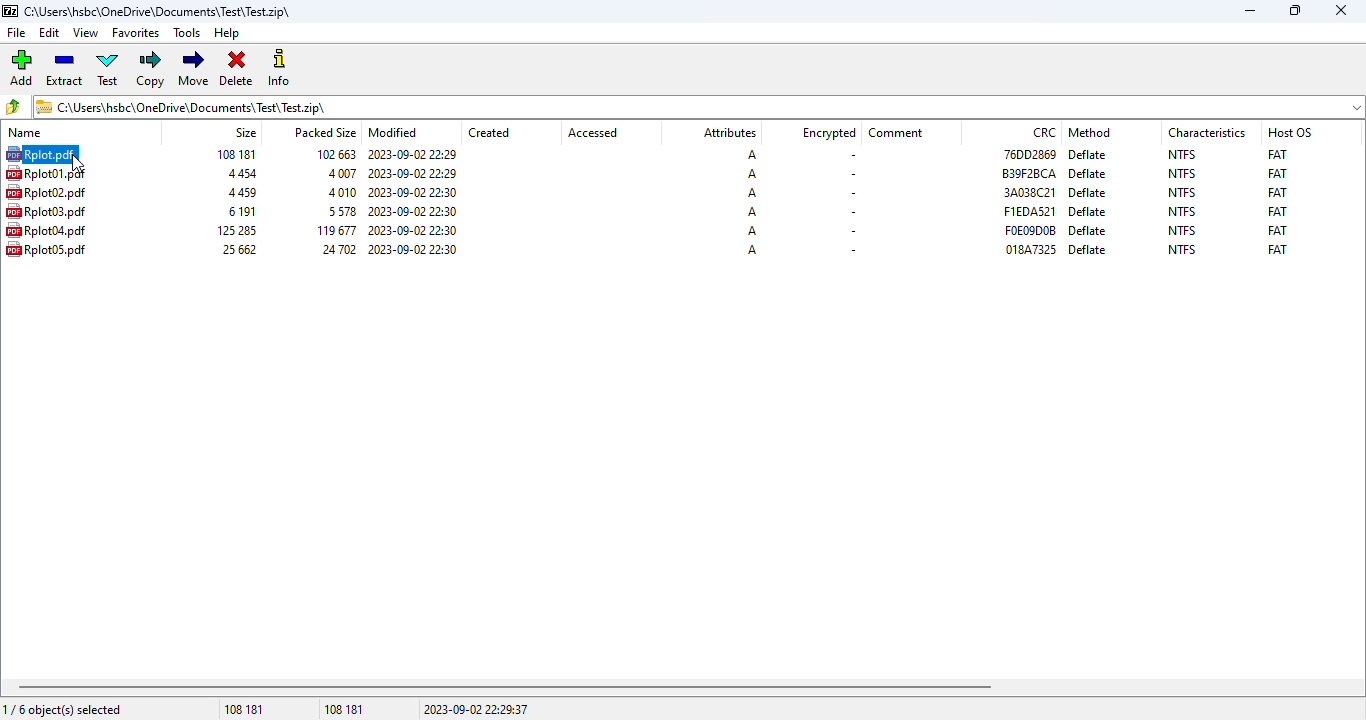 The width and height of the screenshot is (1366, 720). What do you see at coordinates (46, 192) in the screenshot?
I see `file` at bounding box center [46, 192].